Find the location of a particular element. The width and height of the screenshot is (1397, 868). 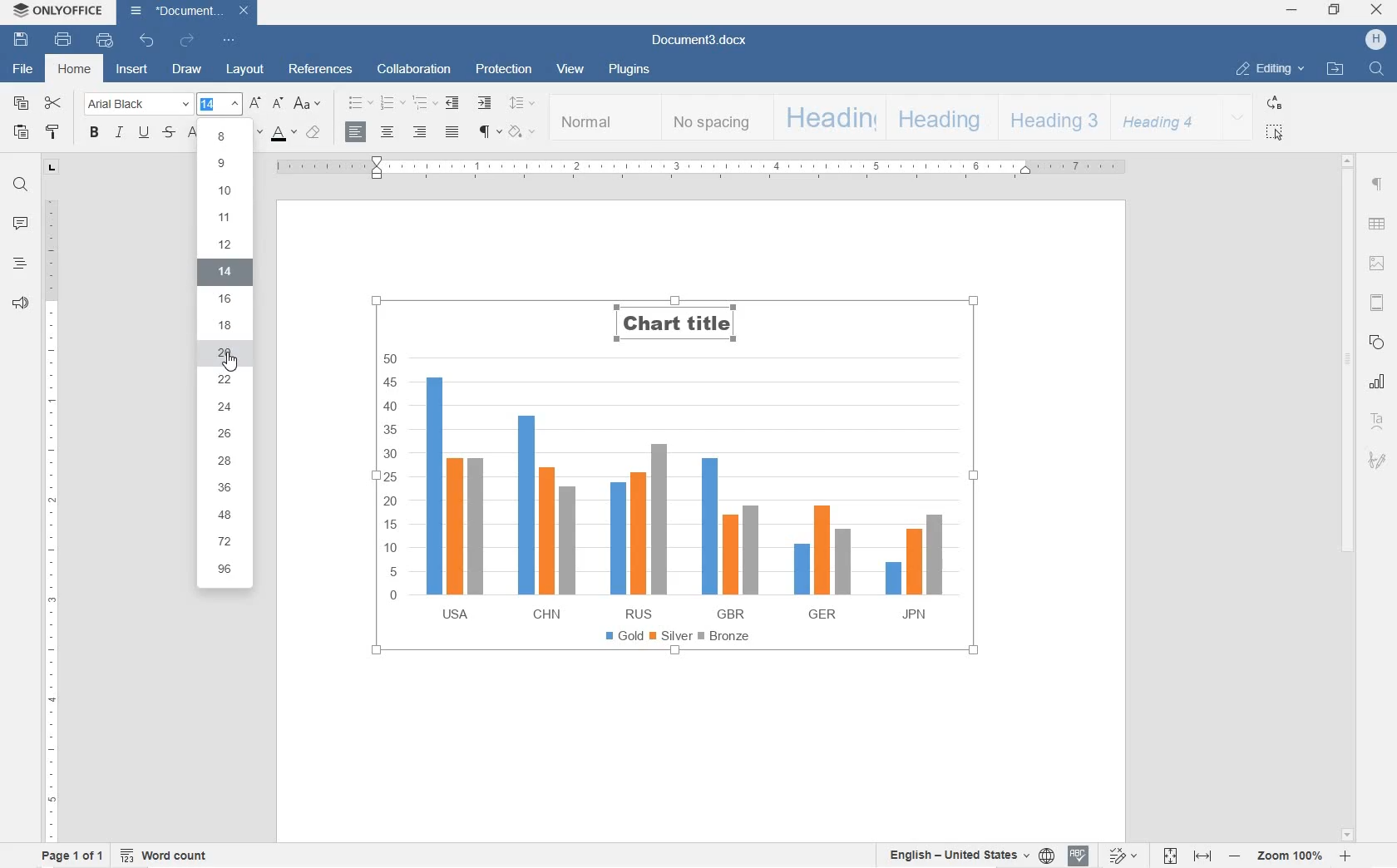

TITLE'S FONT NAME CHANGED is located at coordinates (683, 327).